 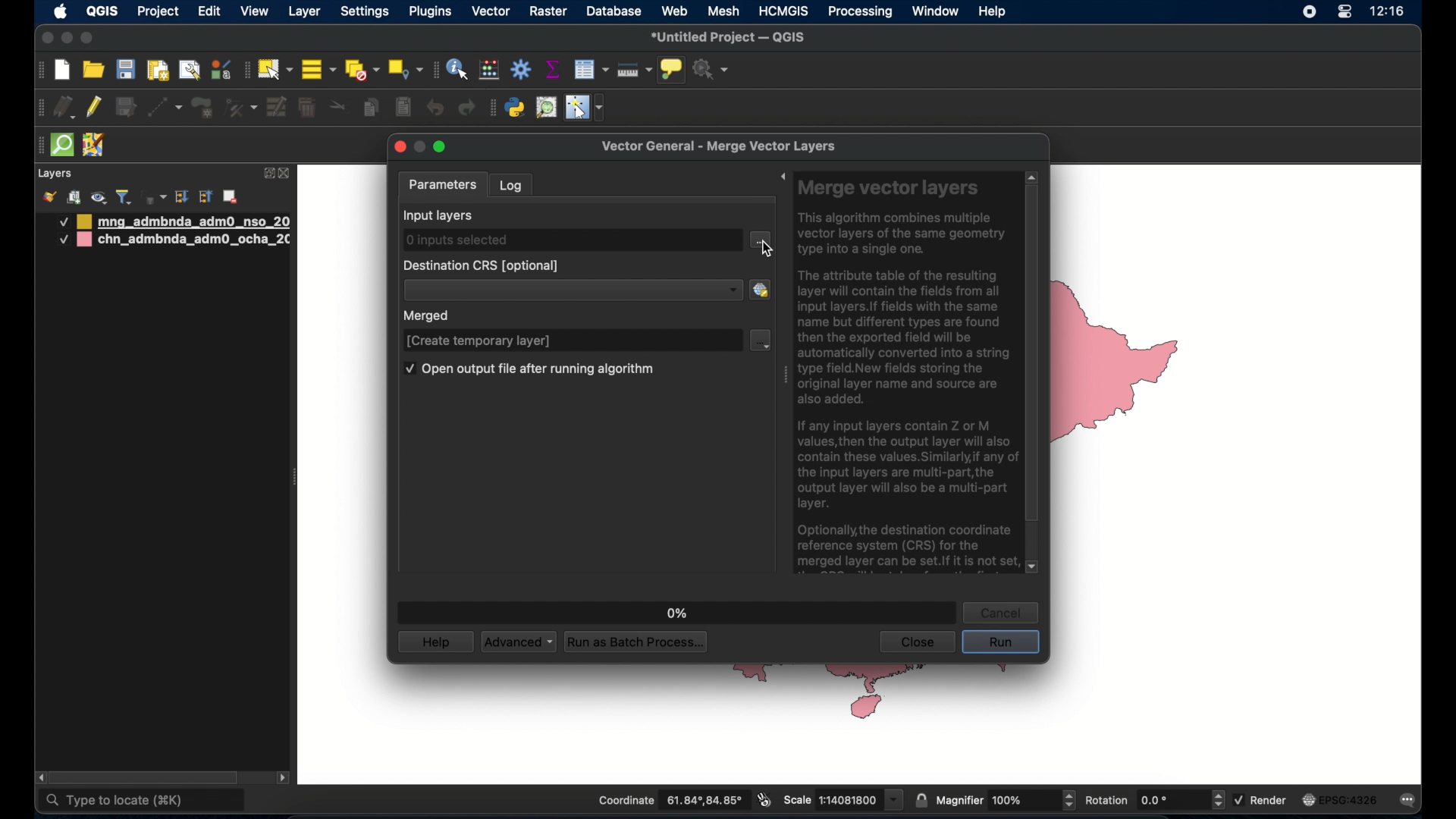 What do you see at coordinates (518, 642) in the screenshot?
I see `advanced` at bounding box center [518, 642].